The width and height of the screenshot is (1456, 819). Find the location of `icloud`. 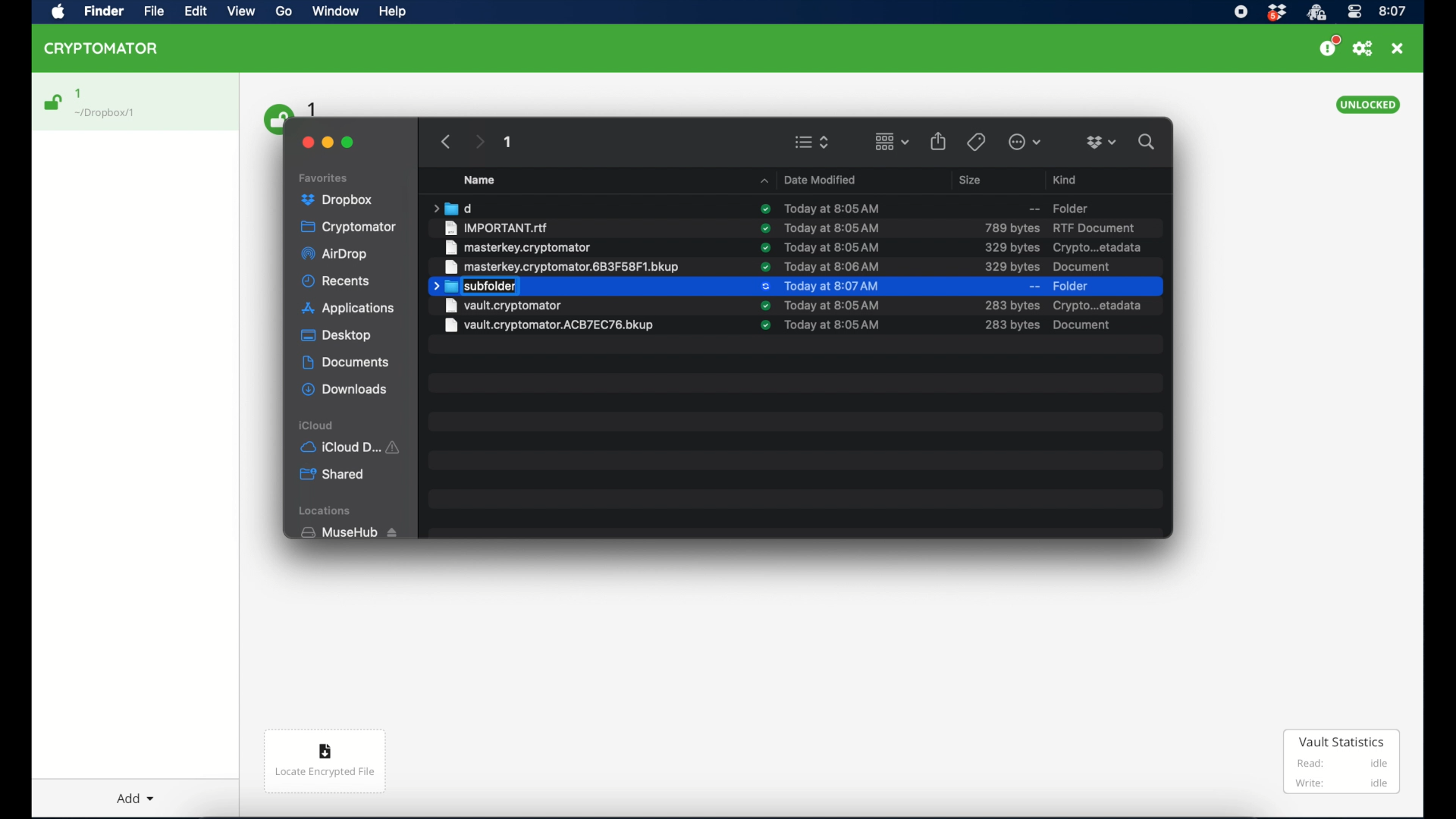

icloud is located at coordinates (317, 425).